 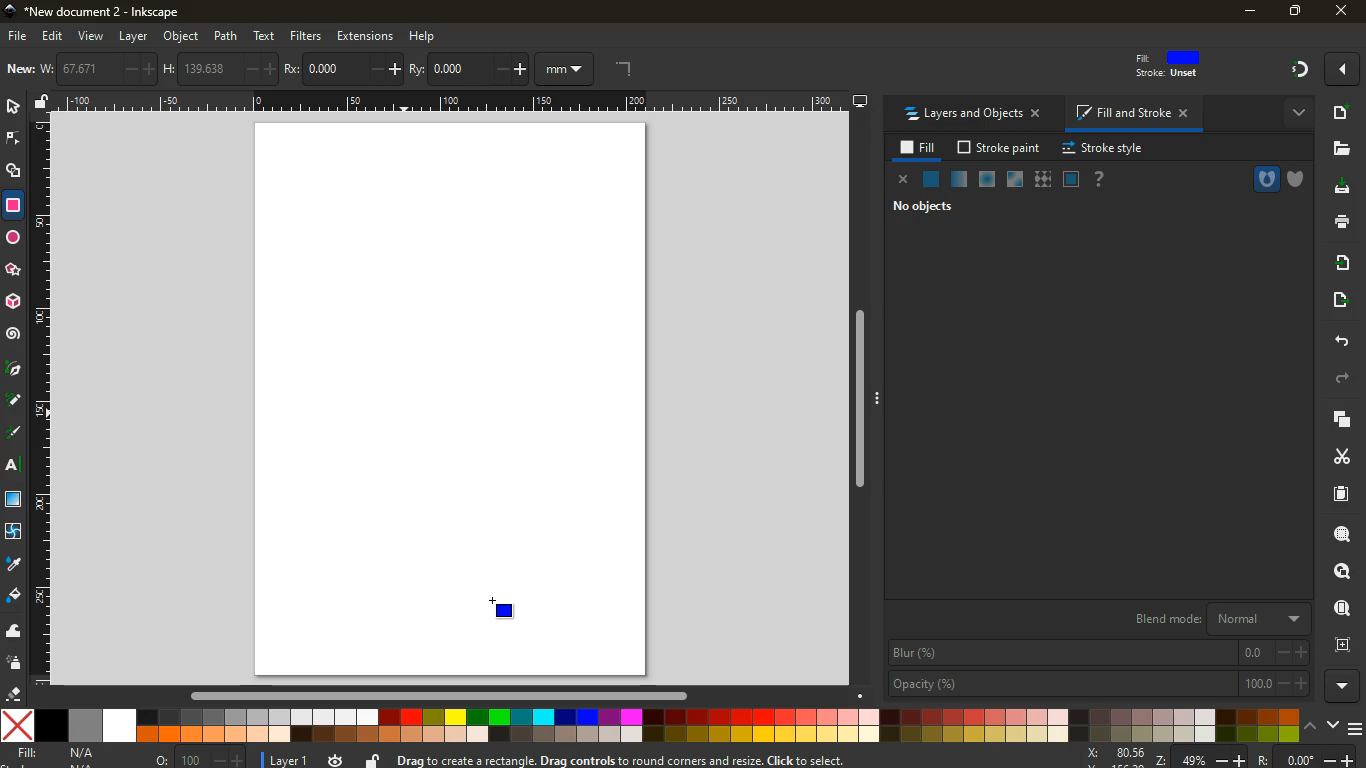 What do you see at coordinates (1332, 726) in the screenshot?
I see `down` at bounding box center [1332, 726].